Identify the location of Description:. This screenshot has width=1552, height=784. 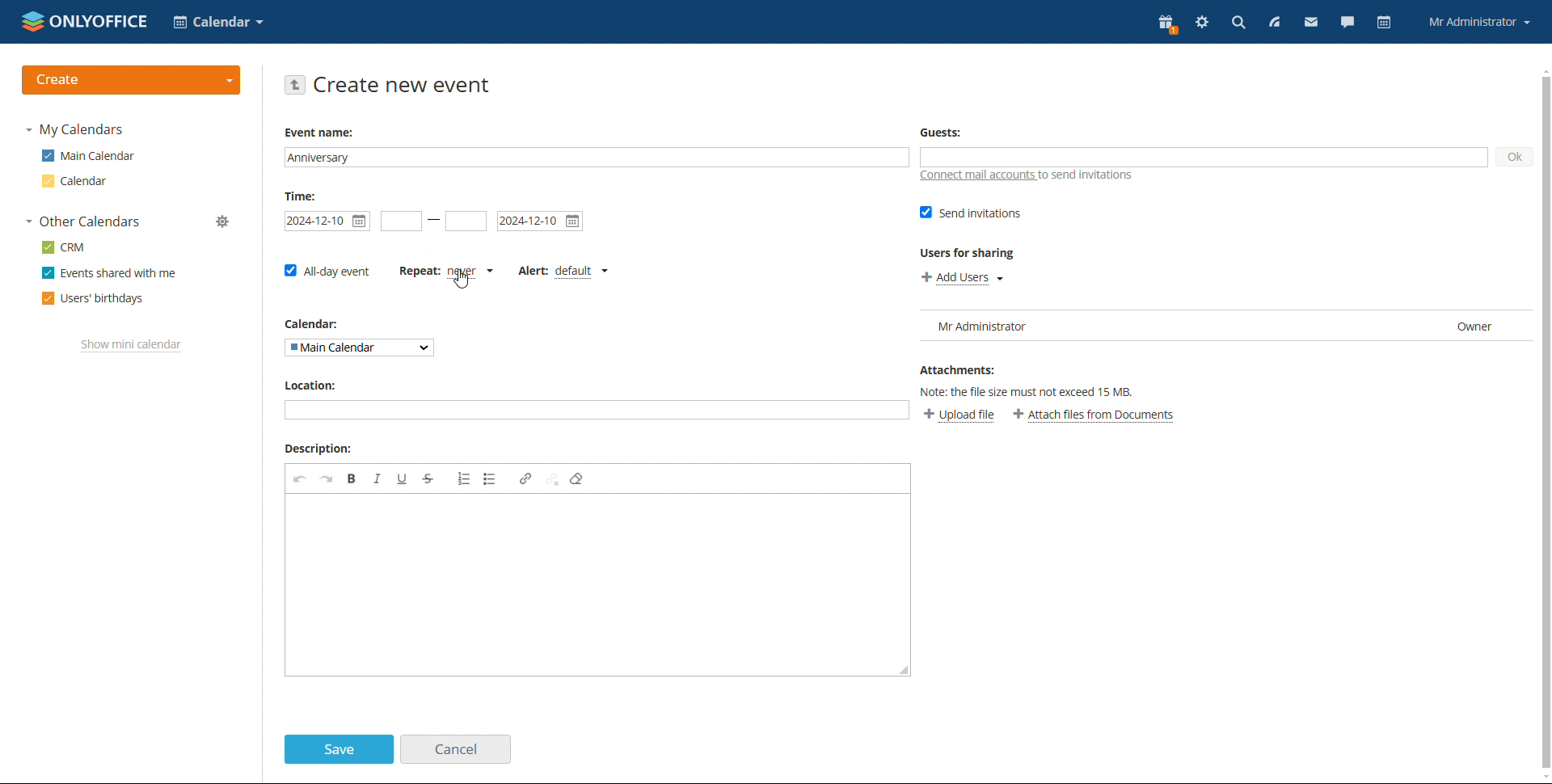
(319, 448).